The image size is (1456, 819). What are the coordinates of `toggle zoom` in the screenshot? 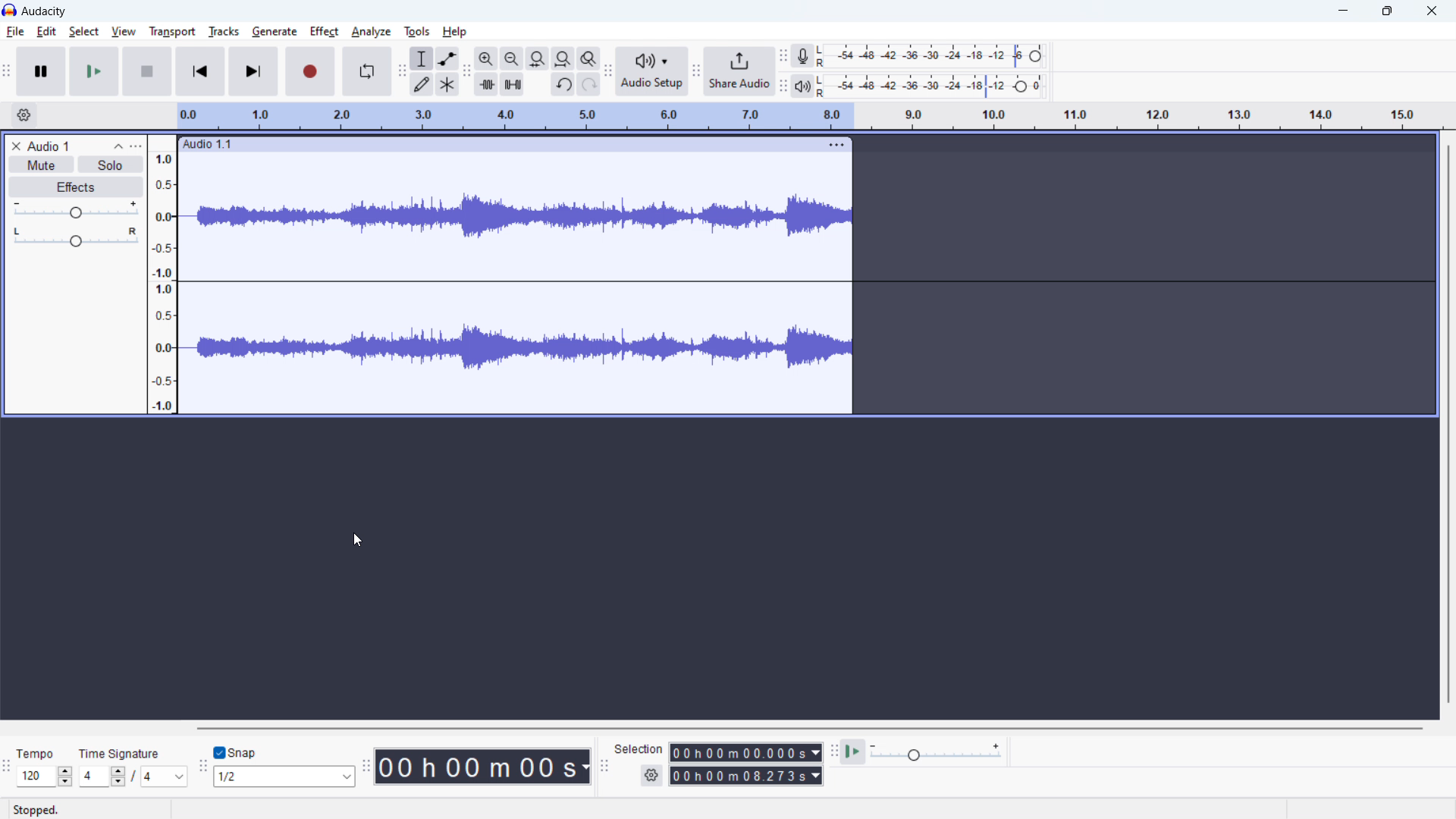 It's located at (588, 59).